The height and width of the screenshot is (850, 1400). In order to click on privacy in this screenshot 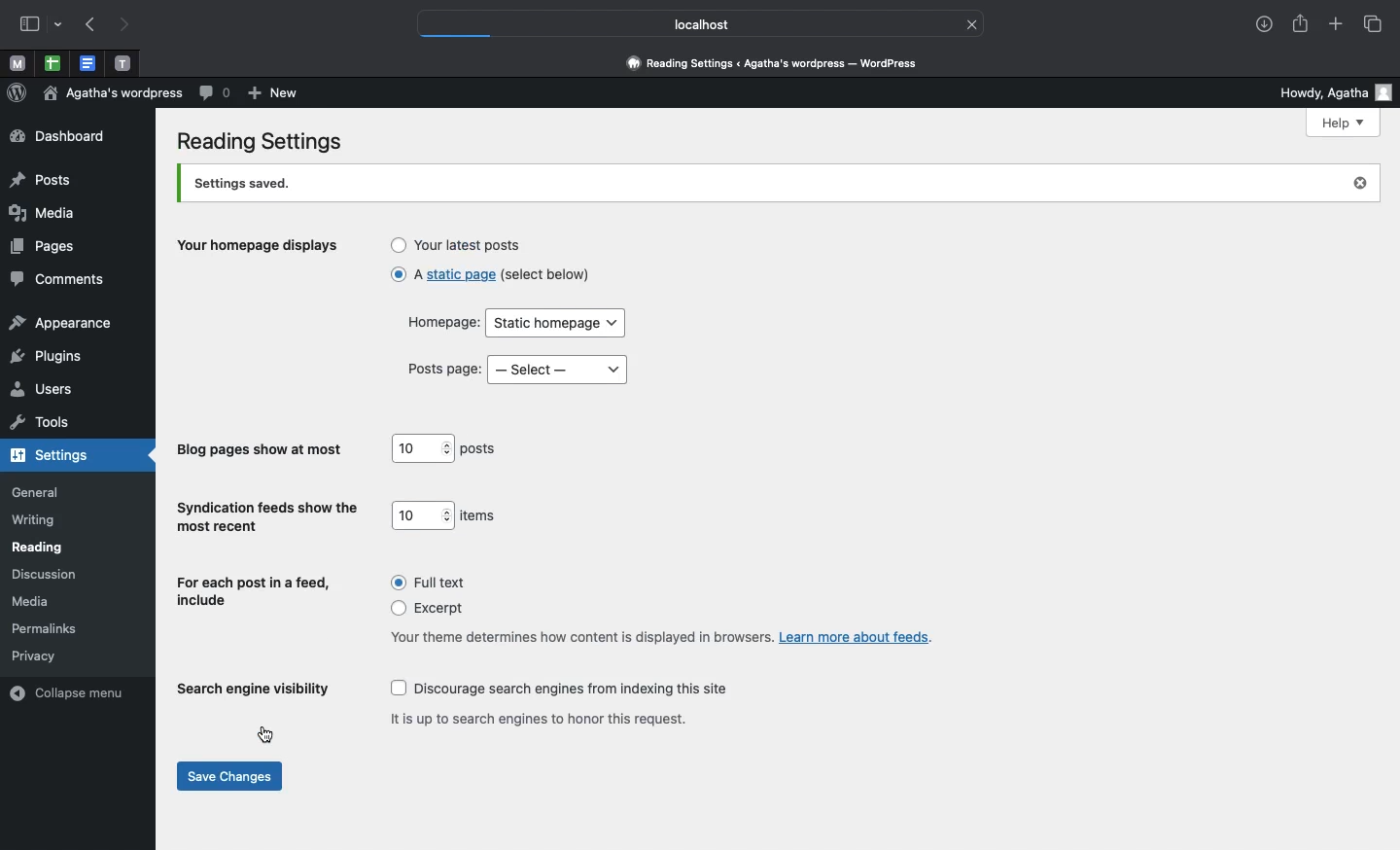, I will do `click(34, 655)`.